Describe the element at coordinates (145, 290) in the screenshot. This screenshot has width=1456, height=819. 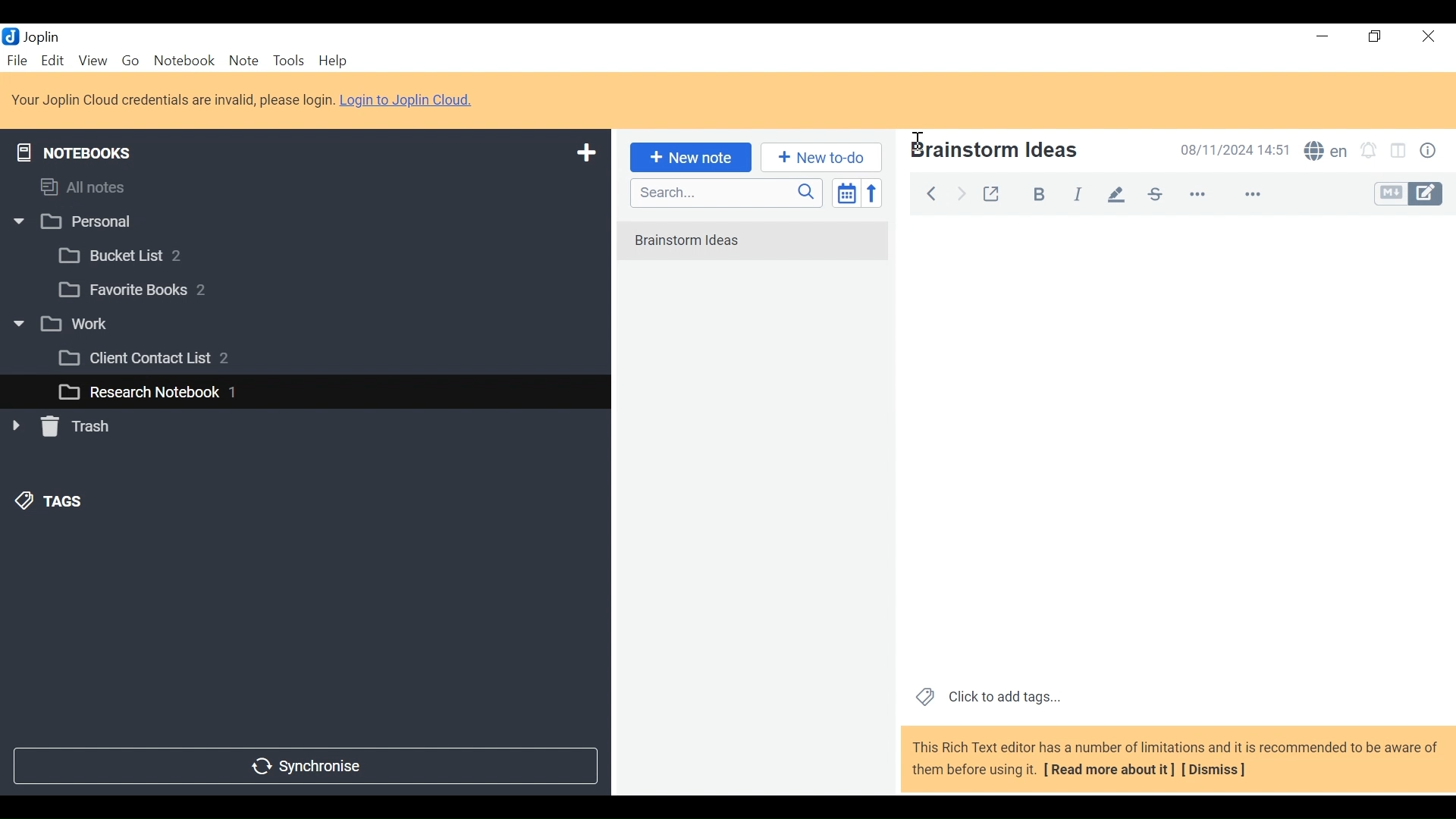
I see `[3 Favorite Books 2` at that location.